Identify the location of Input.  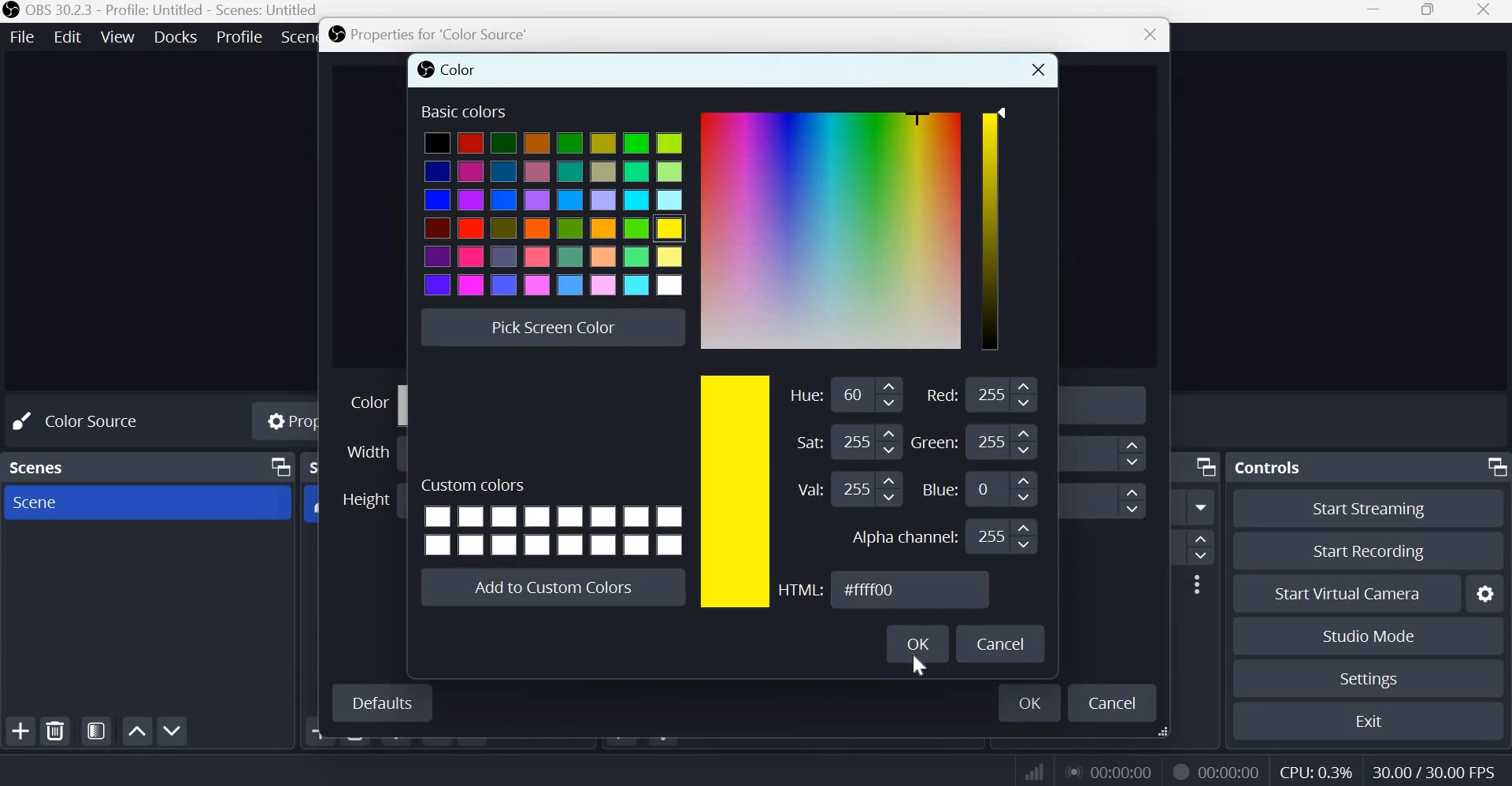
(1002, 488).